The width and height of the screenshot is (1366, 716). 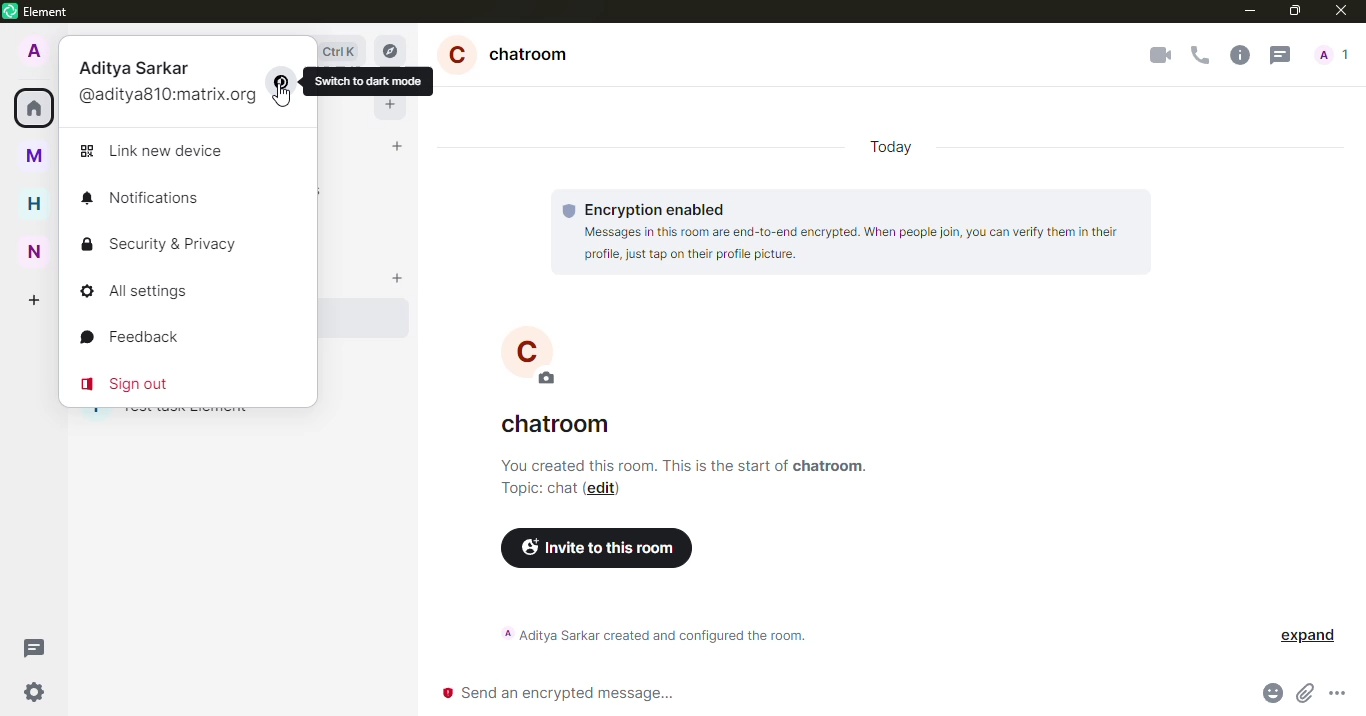 I want to click on new, so click(x=34, y=250).